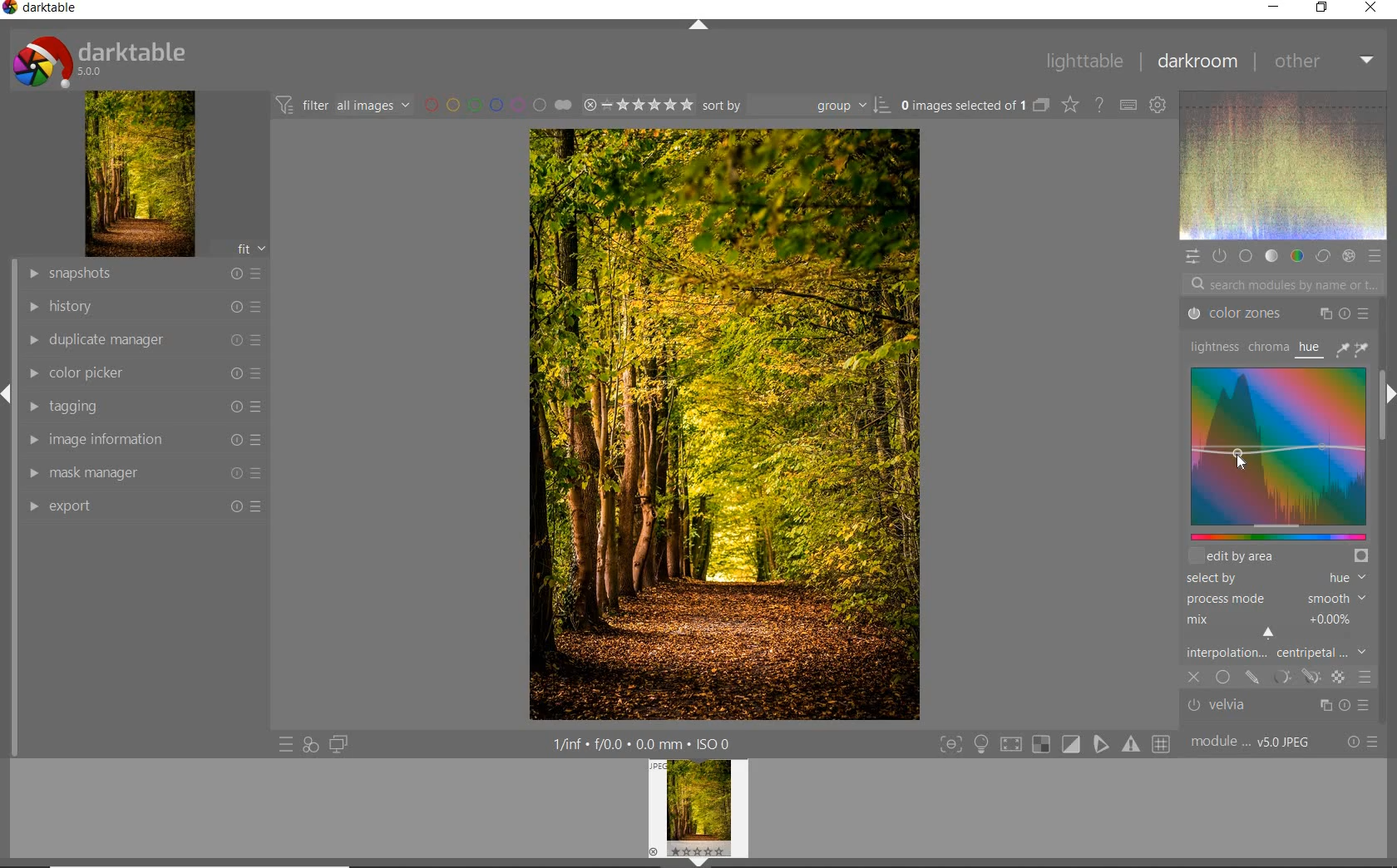  I want to click on EFFECT, so click(1348, 255).